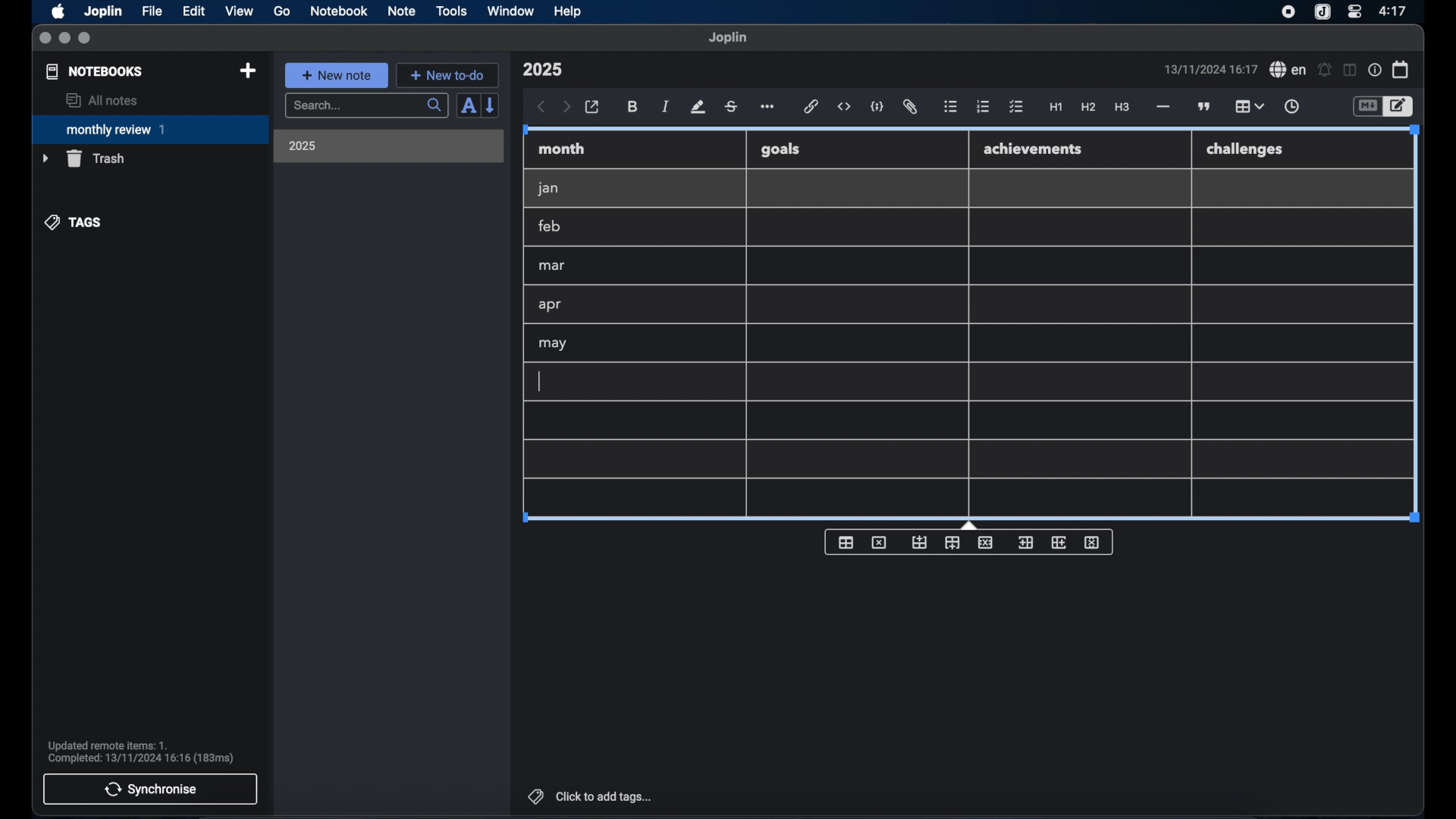 This screenshot has width=1456, height=819. What do you see at coordinates (45, 39) in the screenshot?
I see `close` at bounding box center [45, 39].